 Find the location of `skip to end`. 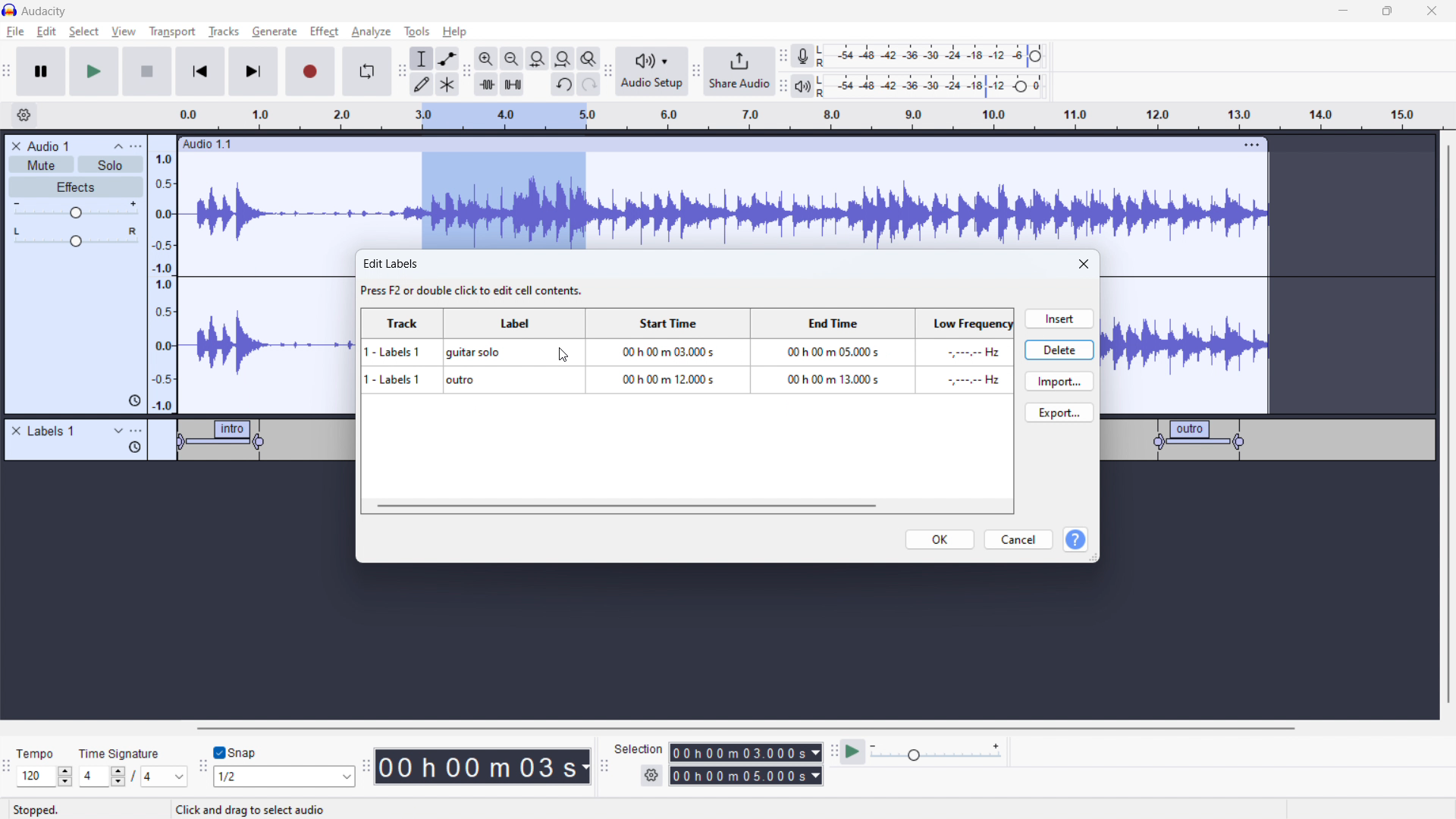

skip to end is located at coordinates (258, 71).